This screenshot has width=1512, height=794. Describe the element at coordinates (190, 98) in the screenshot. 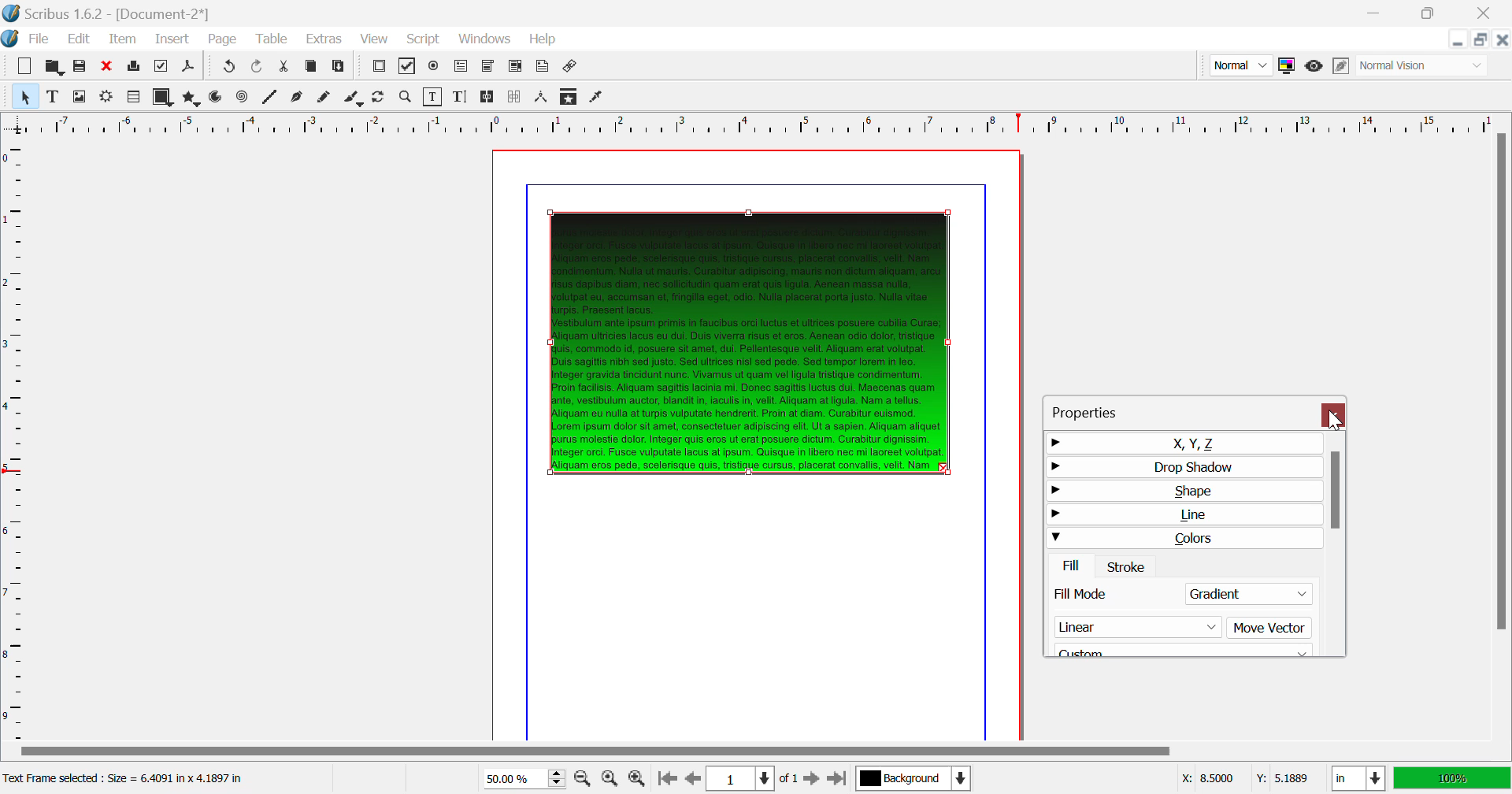

I see `Polygons` at that location.